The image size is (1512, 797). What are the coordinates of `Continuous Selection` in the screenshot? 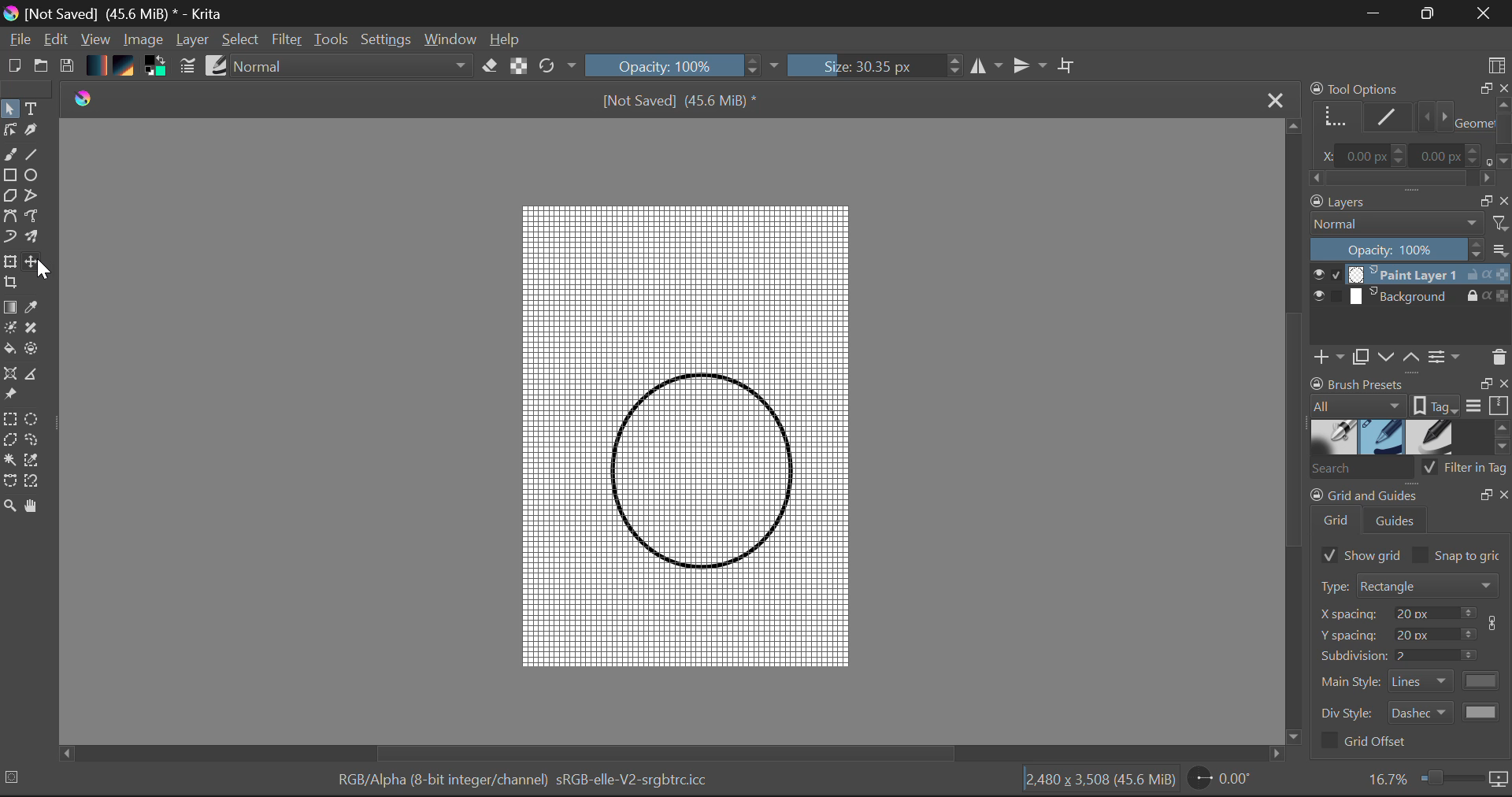 It's located at (9, 462).